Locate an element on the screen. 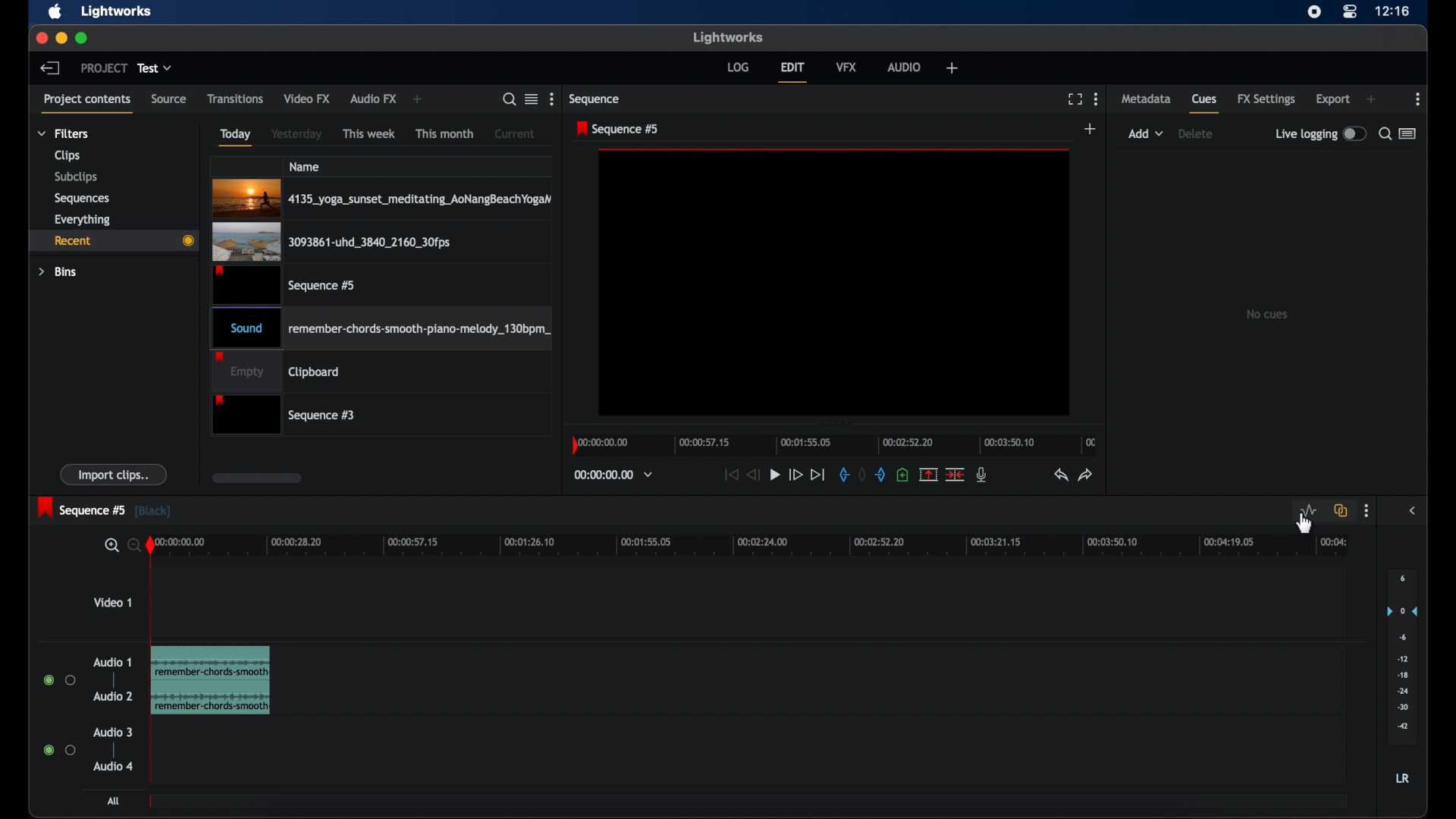  today is located at coordinates (234, 136).